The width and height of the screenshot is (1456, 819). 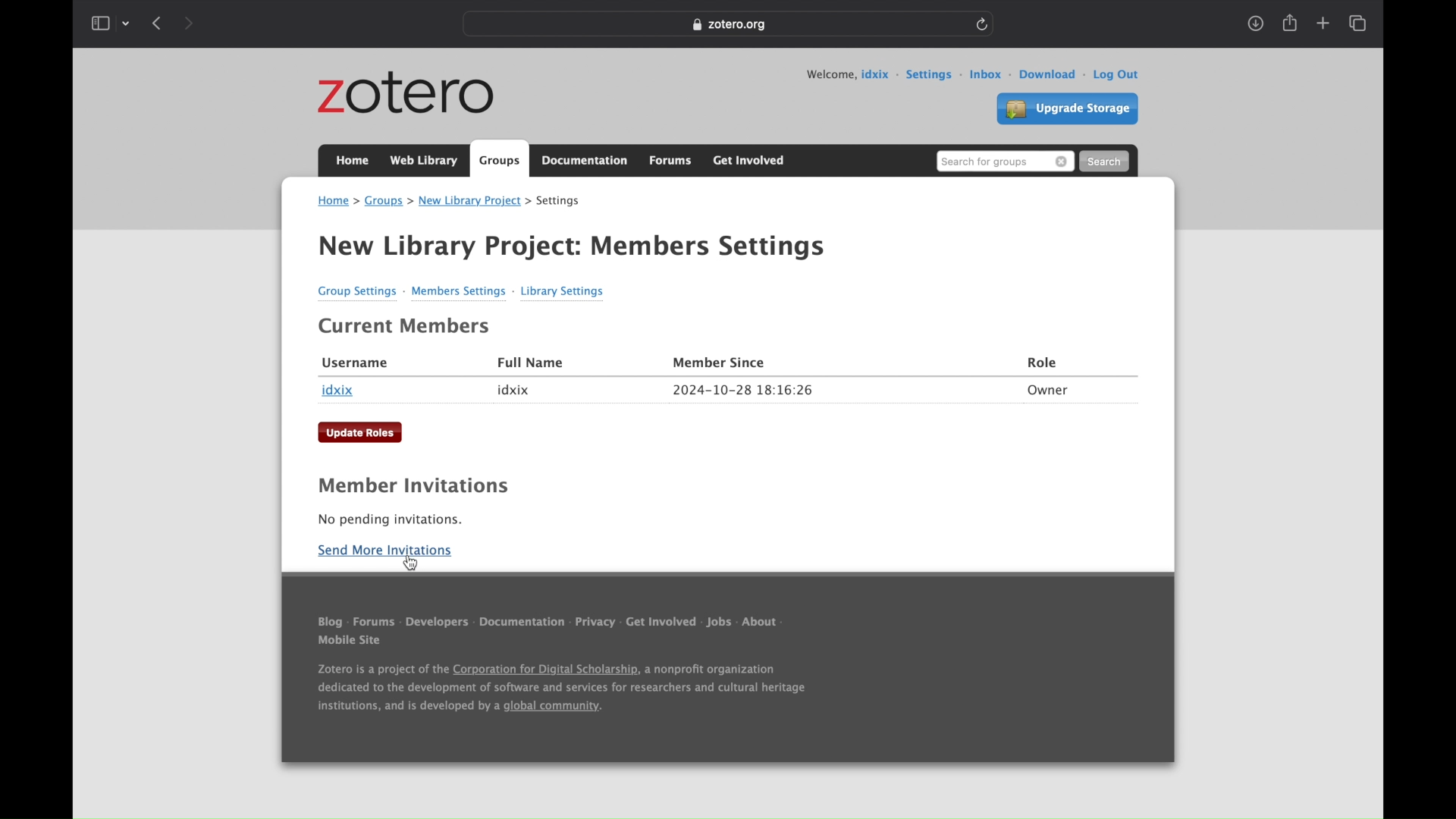 What do you see at coordinates (879, 74) in the screenshot?
I see `user id` at bounding box center [879, 74].